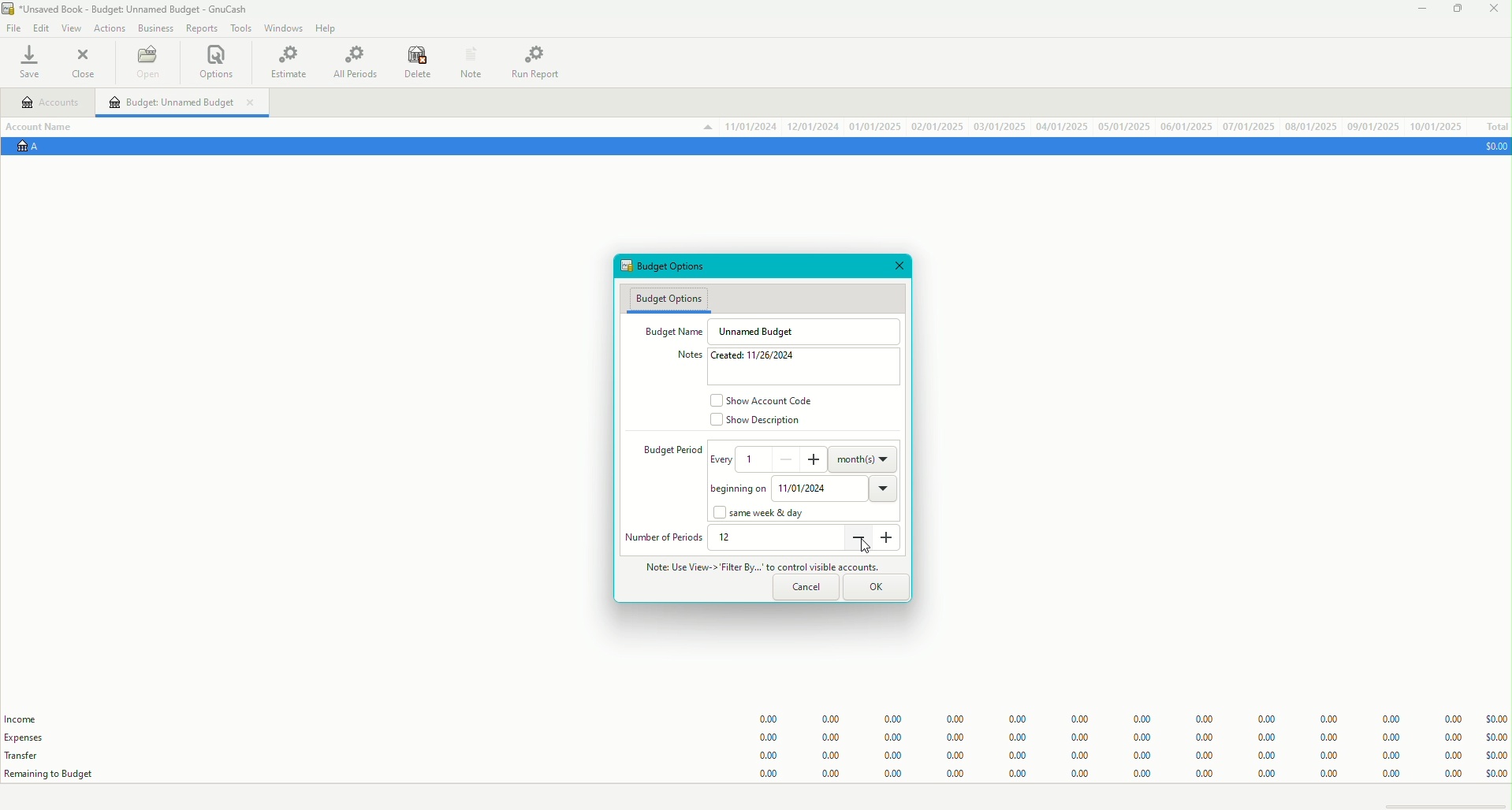 The image size is (1512, 810). Describe the element at coordinates (669, 298) in the screenshot. I see `Budget Options` at that location.